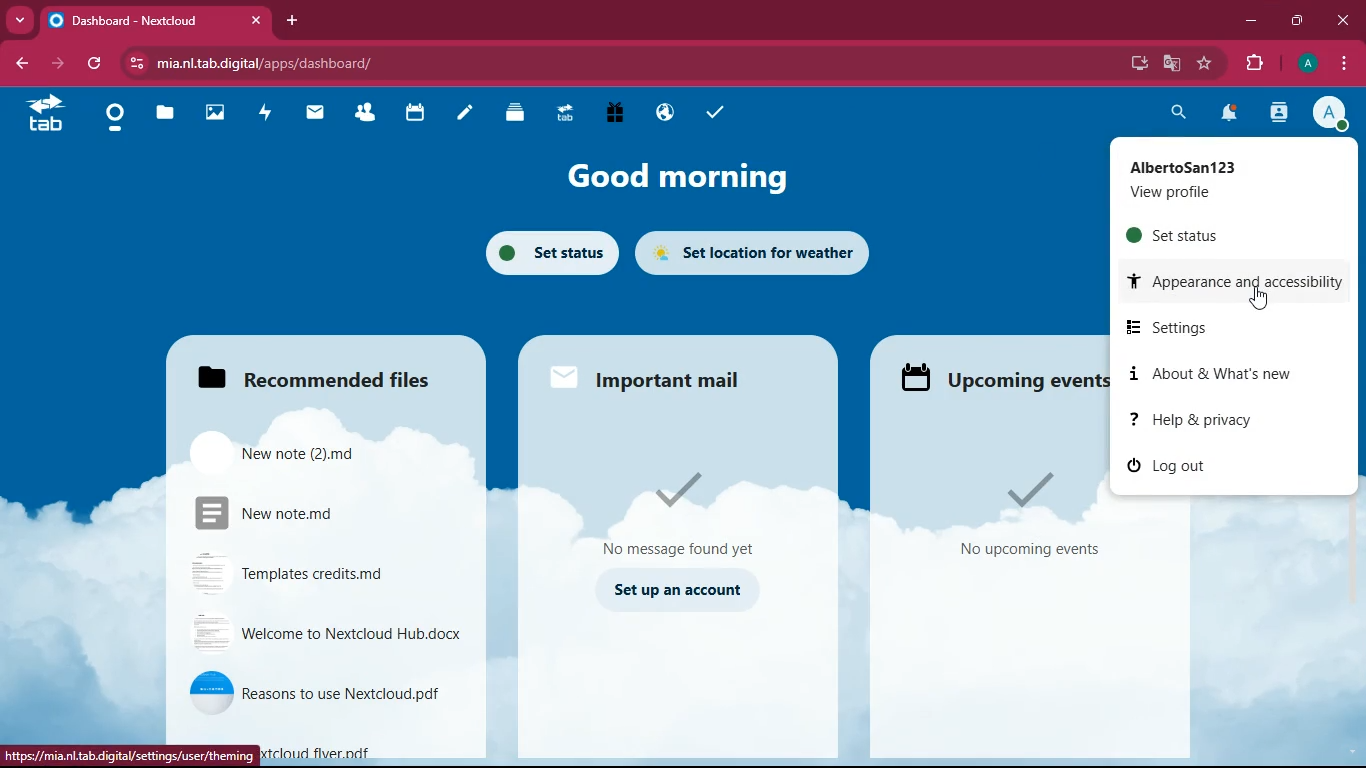  I want to click on about, so click(1245, 372).